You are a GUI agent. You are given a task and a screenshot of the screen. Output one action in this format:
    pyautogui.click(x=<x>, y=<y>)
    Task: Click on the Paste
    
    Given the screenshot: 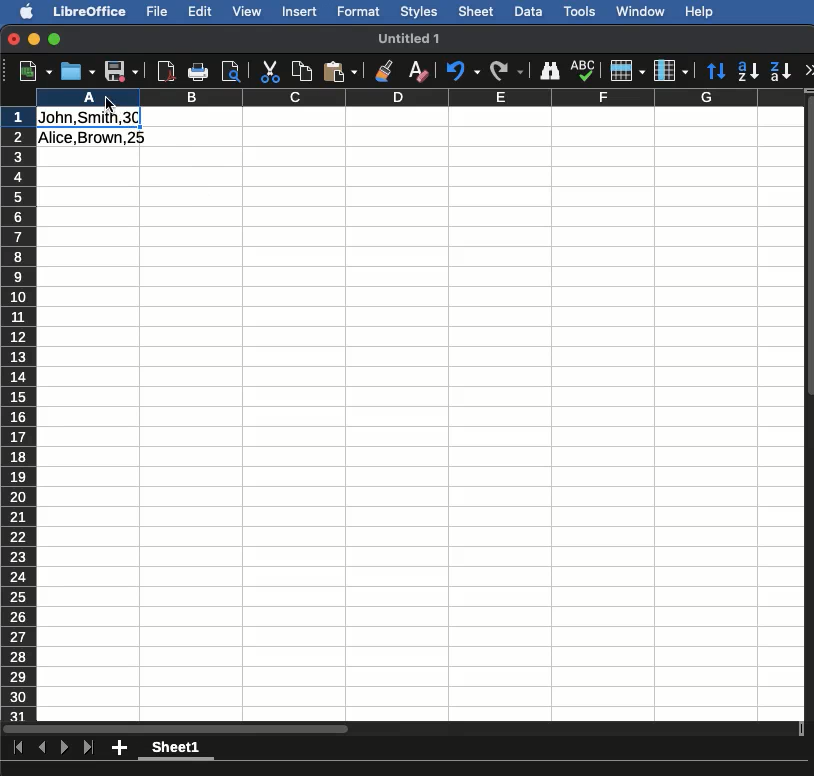 What is the action you would take?
    pyautogui.click(x=342, y=72)
    